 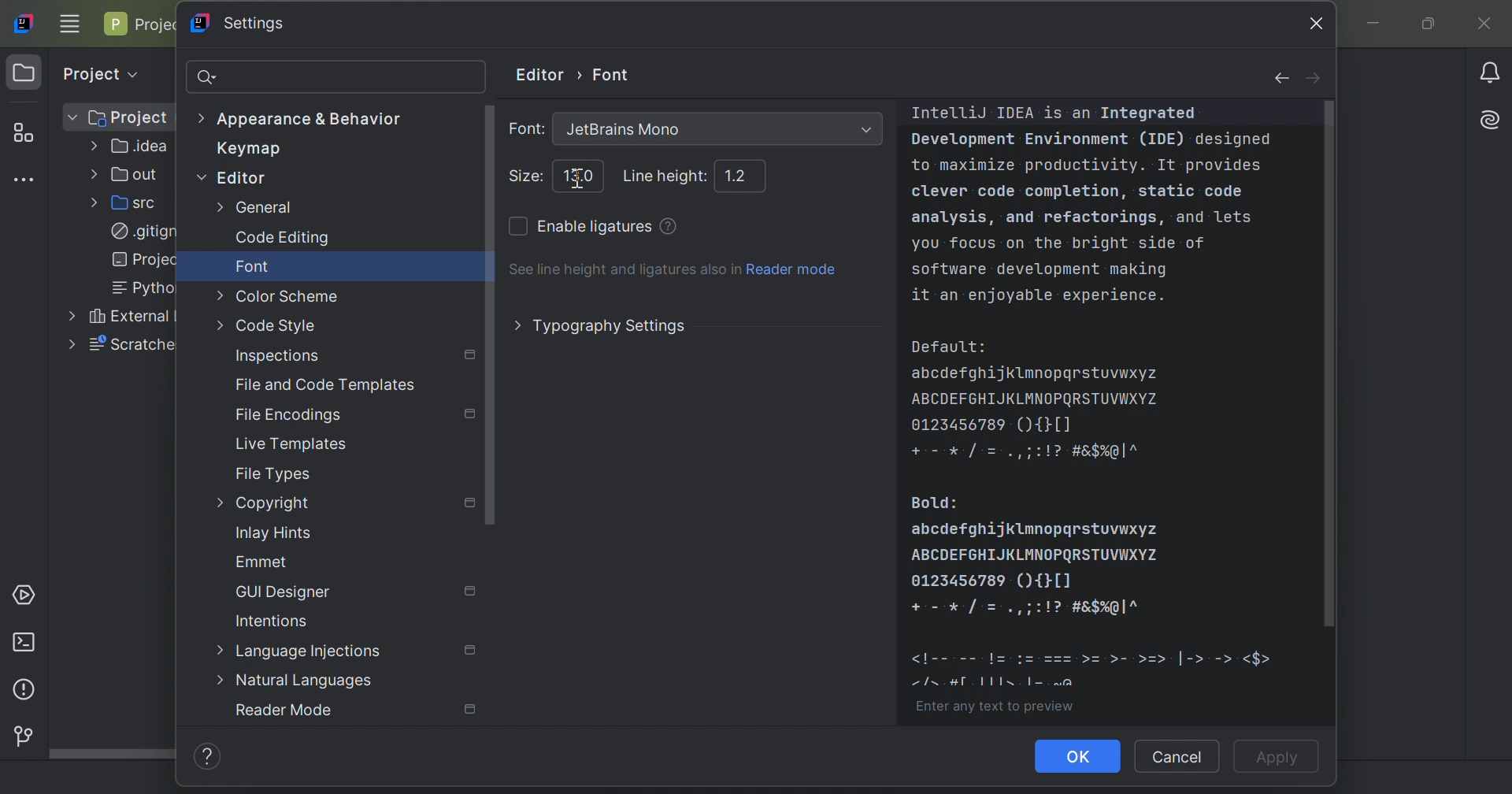 I want to click on Code editing, so click(x=283, y=239).